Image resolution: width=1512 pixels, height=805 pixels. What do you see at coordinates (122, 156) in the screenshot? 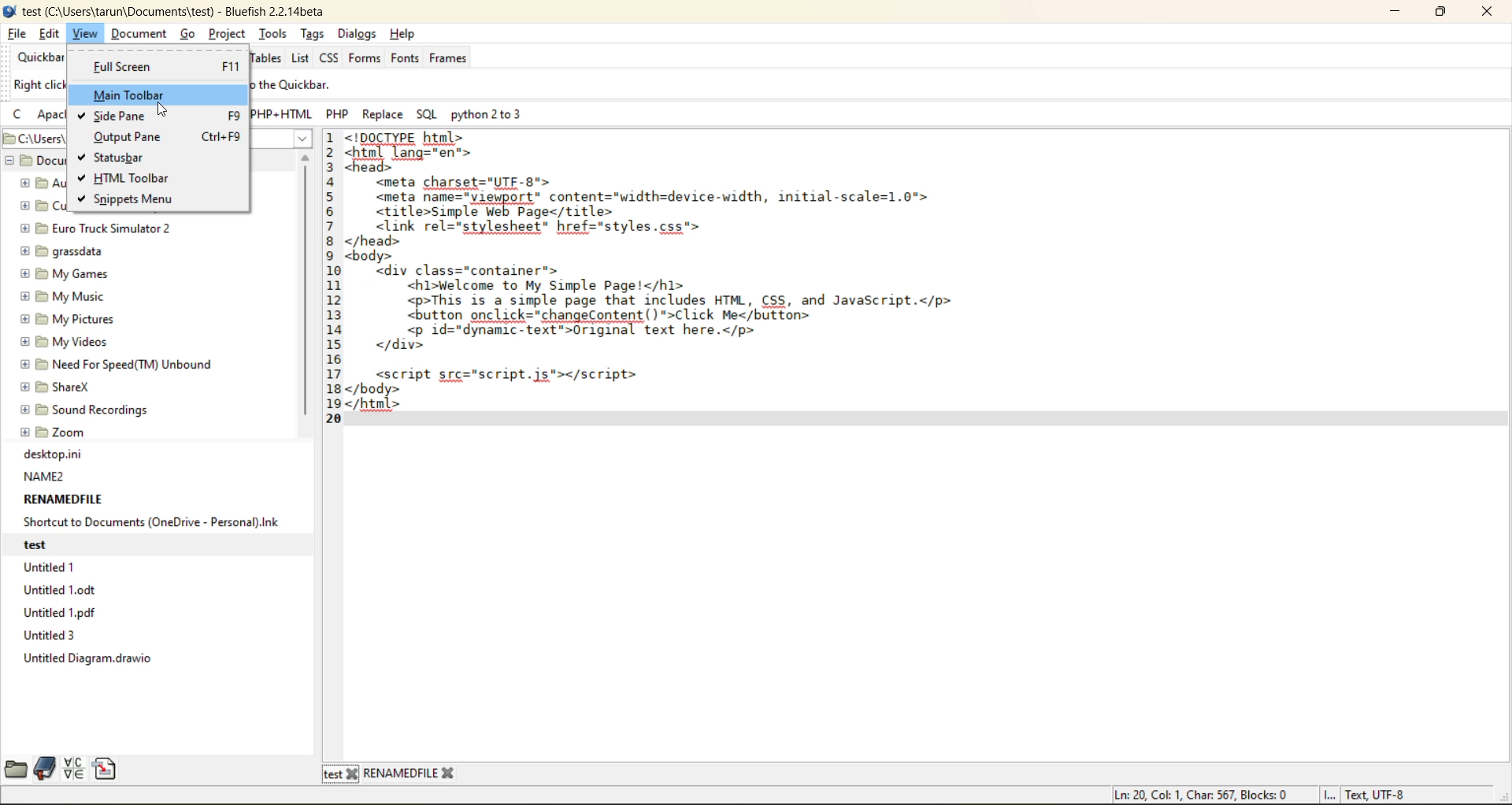
I see `statusbar` at bounding box center [122, 156].